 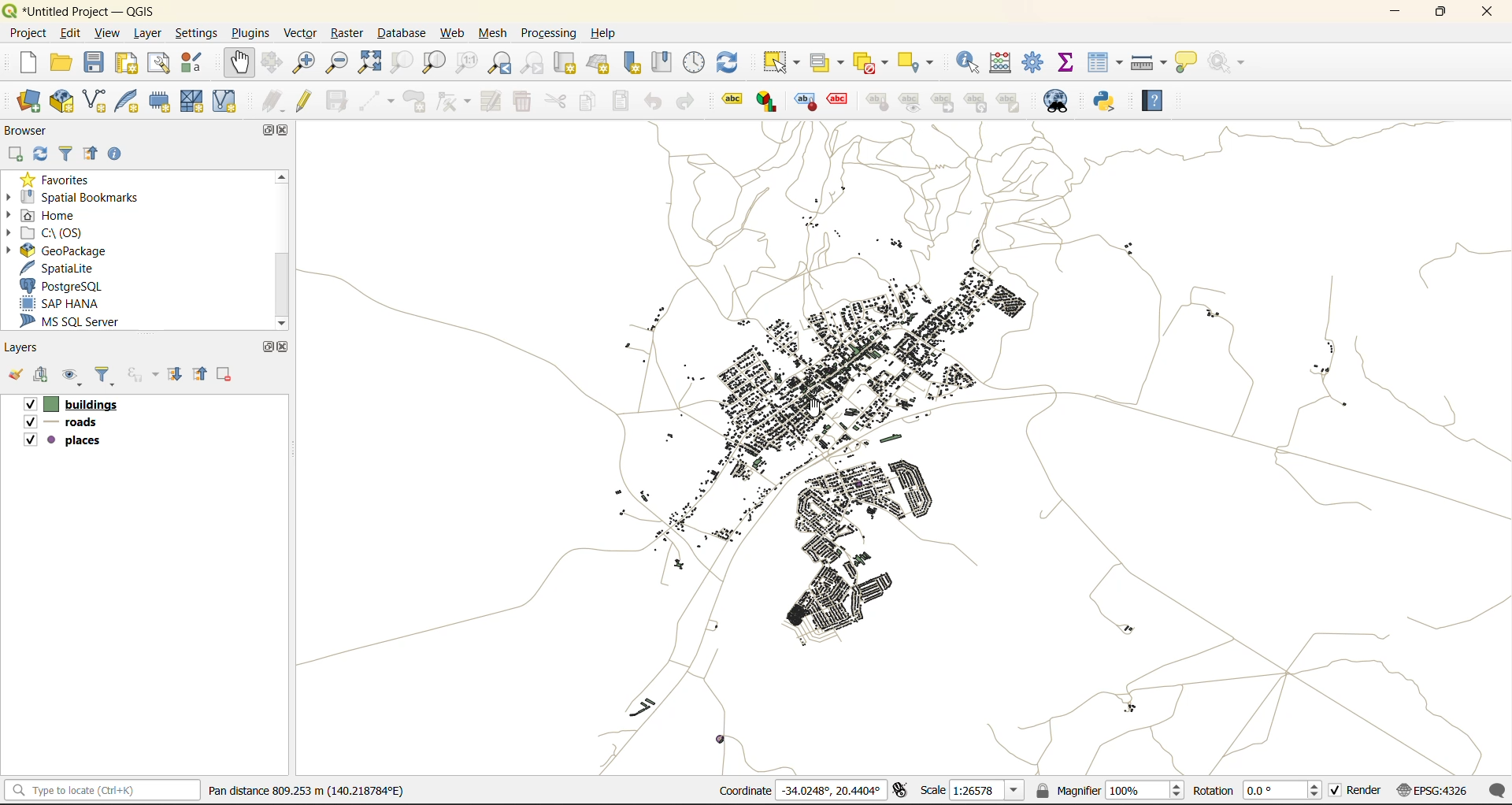 I want to click on spatial bookmarks, so click(x=85, y=198).